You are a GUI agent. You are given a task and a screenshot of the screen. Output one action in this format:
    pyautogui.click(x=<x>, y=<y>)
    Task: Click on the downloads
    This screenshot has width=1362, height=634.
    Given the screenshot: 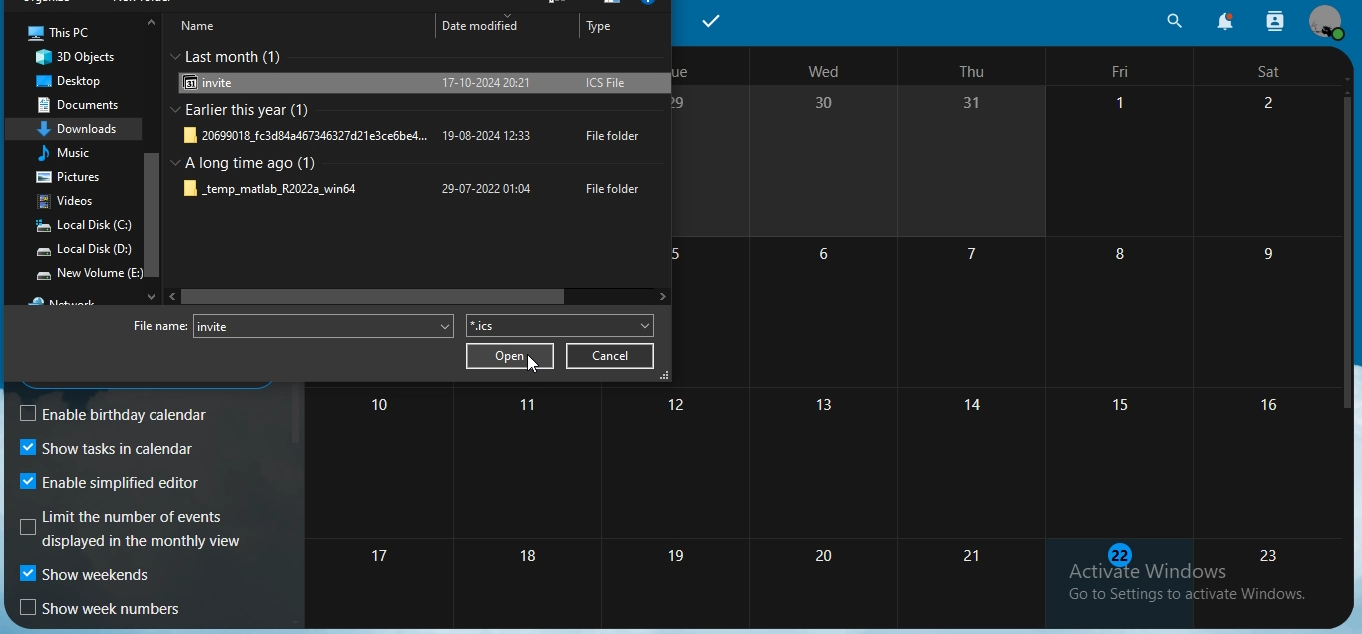 What is the action you would take?
    pyautogui.click(x=83, y=127)
    